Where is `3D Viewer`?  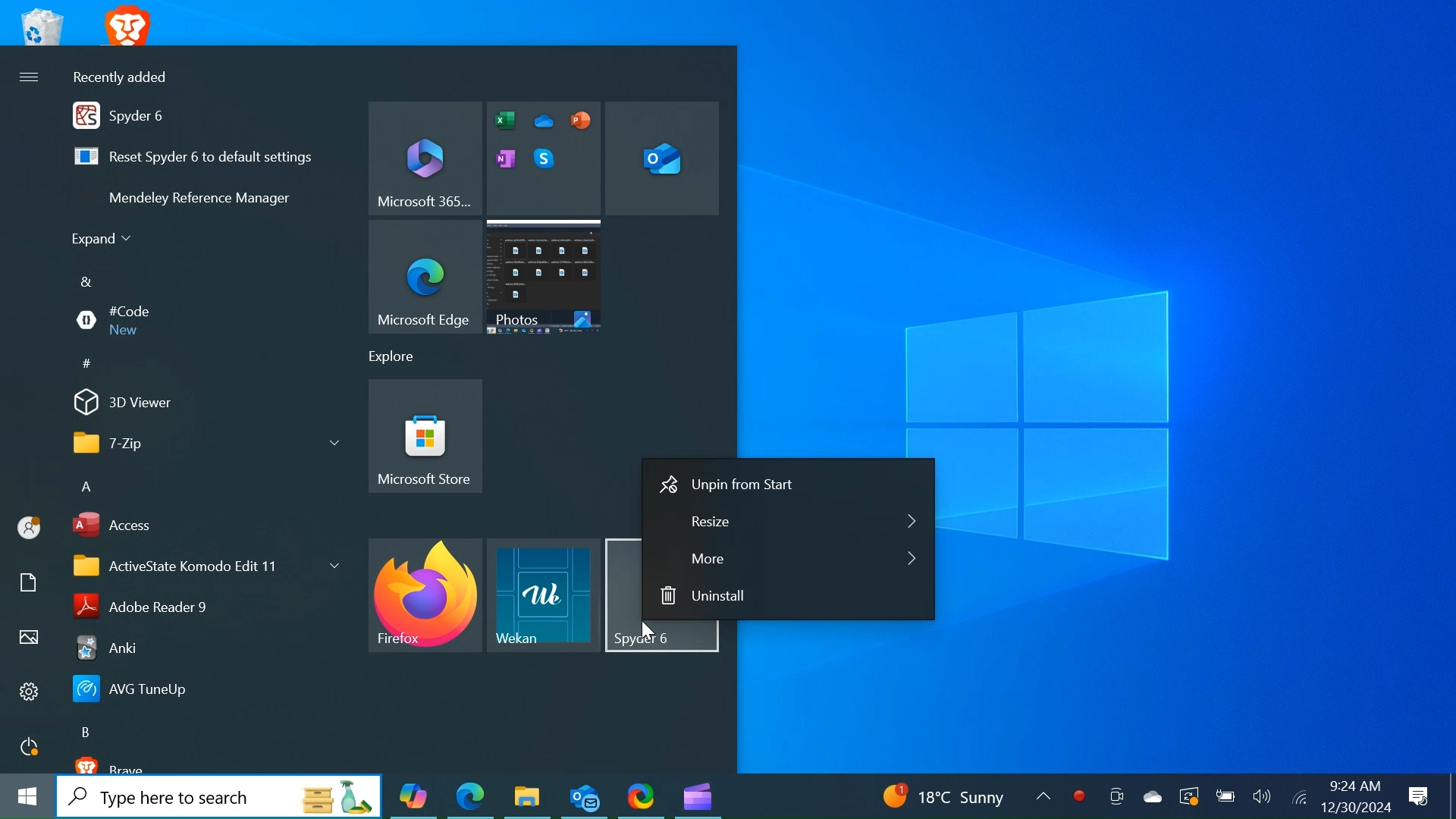 3D Viewer is located at coordinates (202, 405).